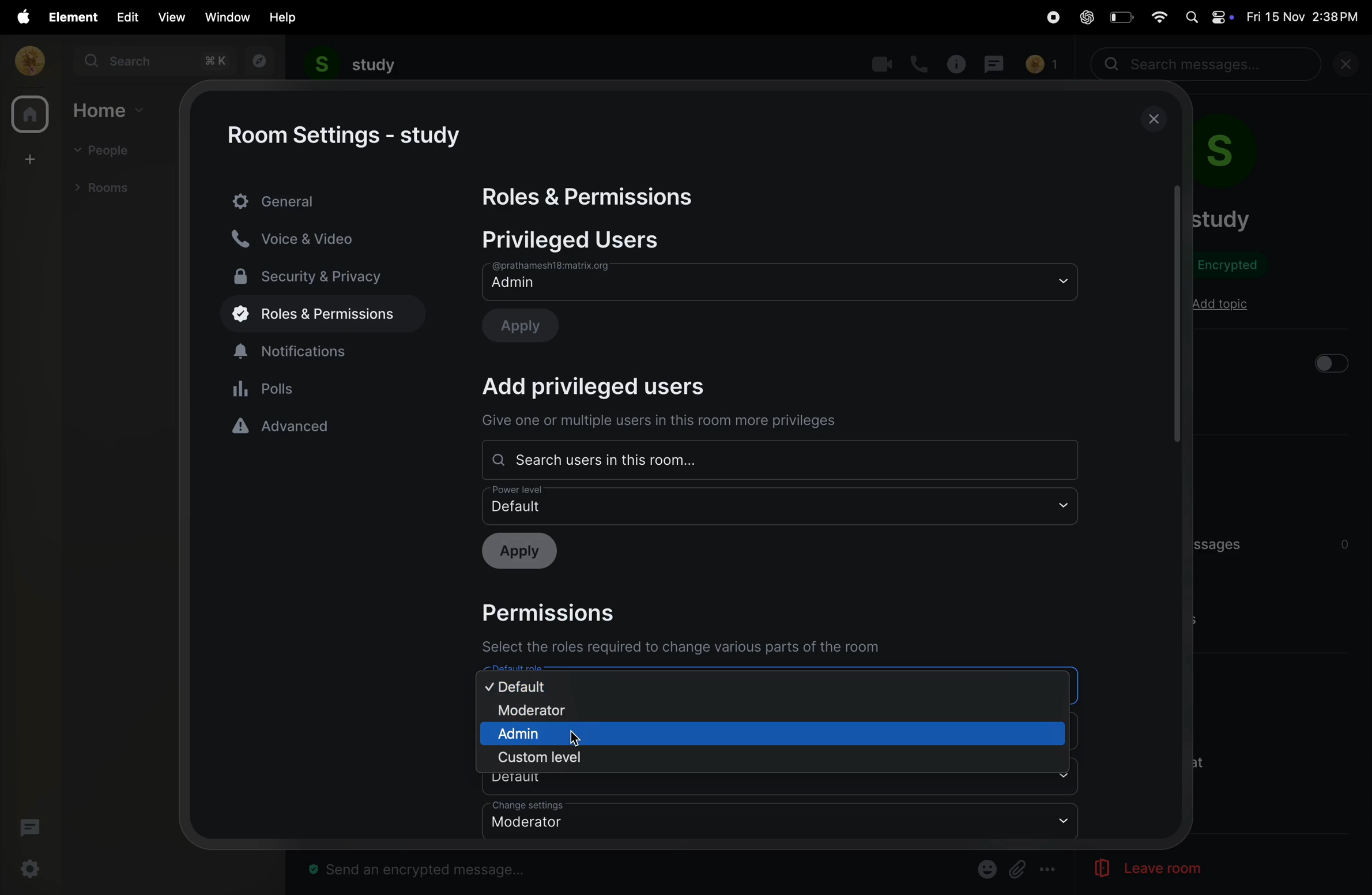 The image size is (1372, 895). I want to click on rooms, so click(107, 186).